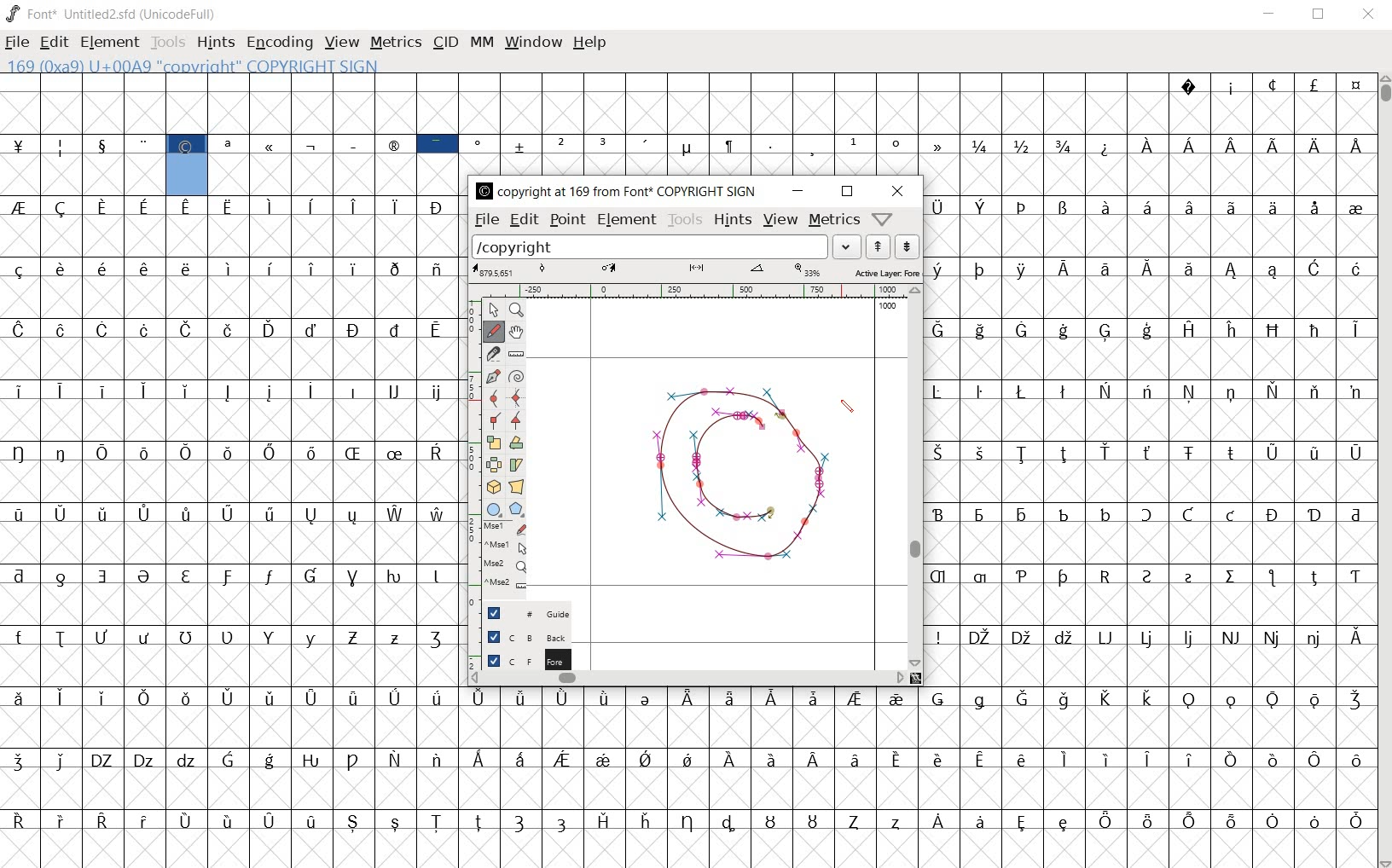  Describe the element at coordinates (497, 420) in the screenshot. I see `Add a corner point` at that location.